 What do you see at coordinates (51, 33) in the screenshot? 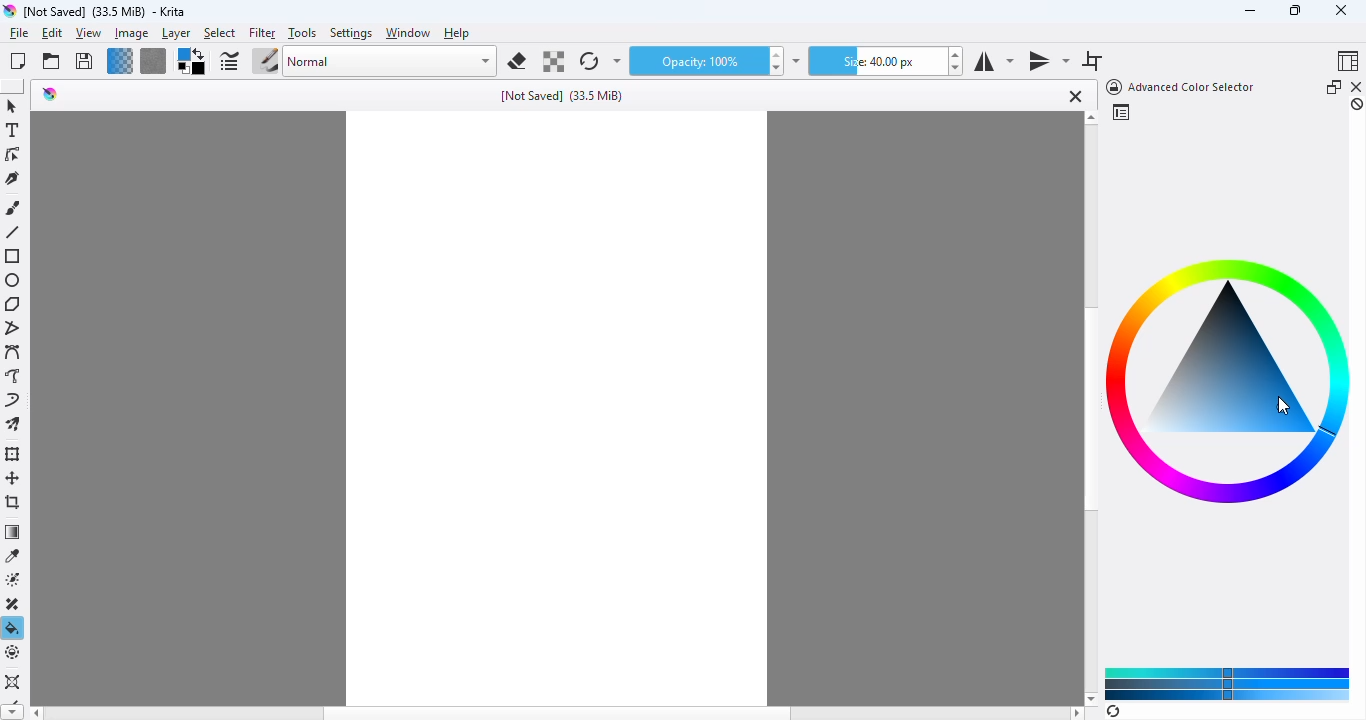
I see `edit` at bounding box center [51, 33].